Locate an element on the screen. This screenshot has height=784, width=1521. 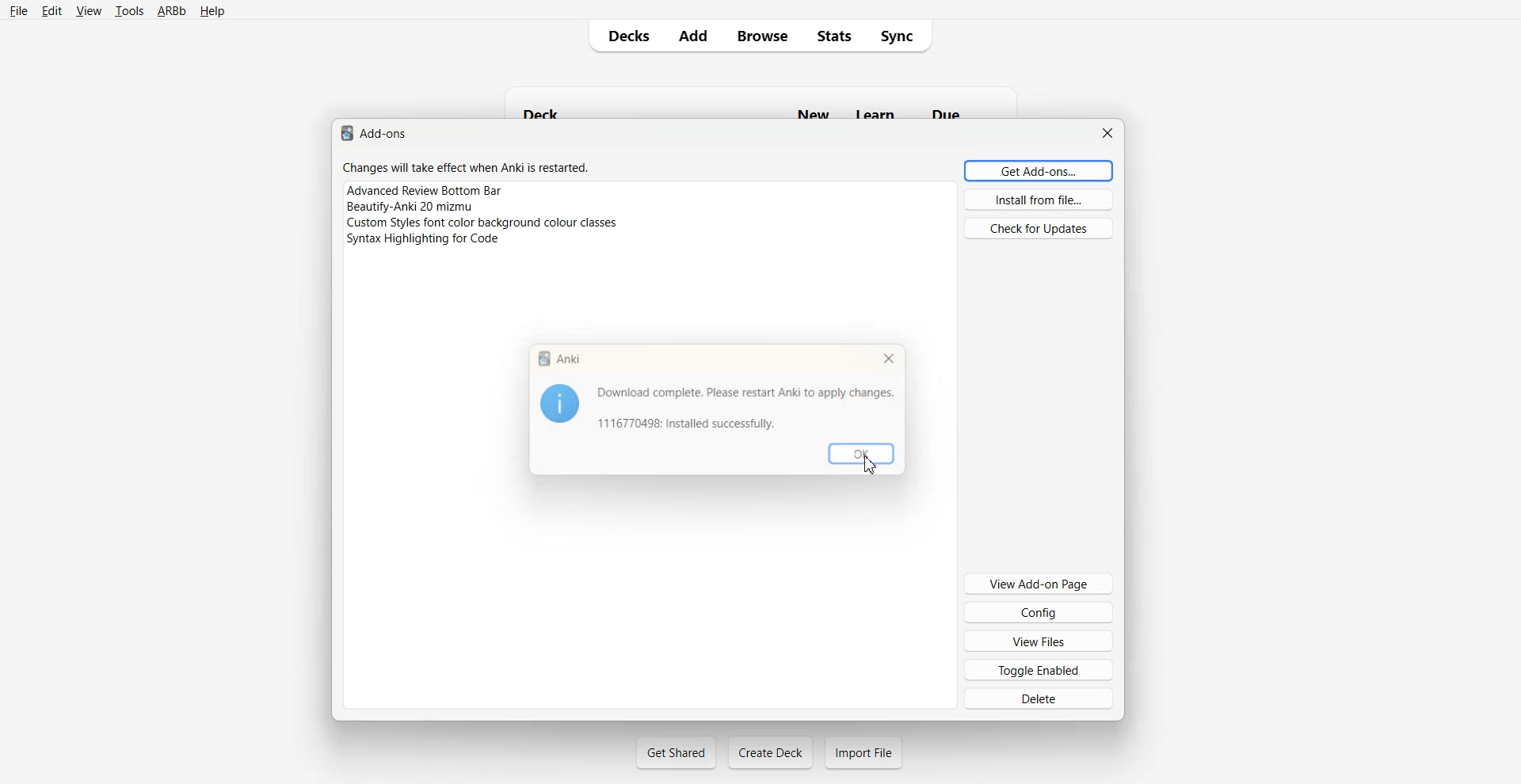
Close is located at coordinates (1106, 132).